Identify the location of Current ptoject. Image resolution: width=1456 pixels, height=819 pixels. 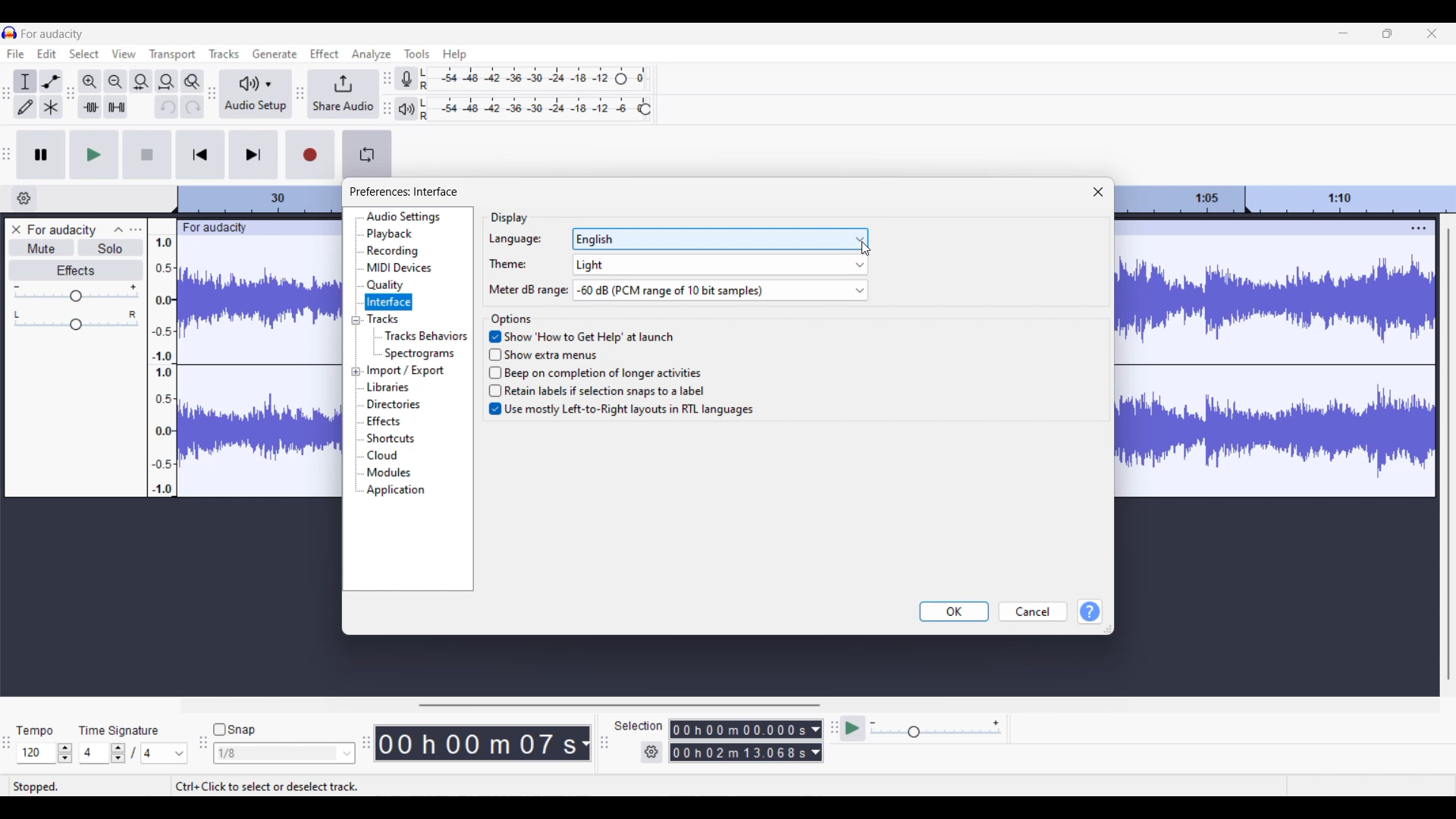
(62, 231).